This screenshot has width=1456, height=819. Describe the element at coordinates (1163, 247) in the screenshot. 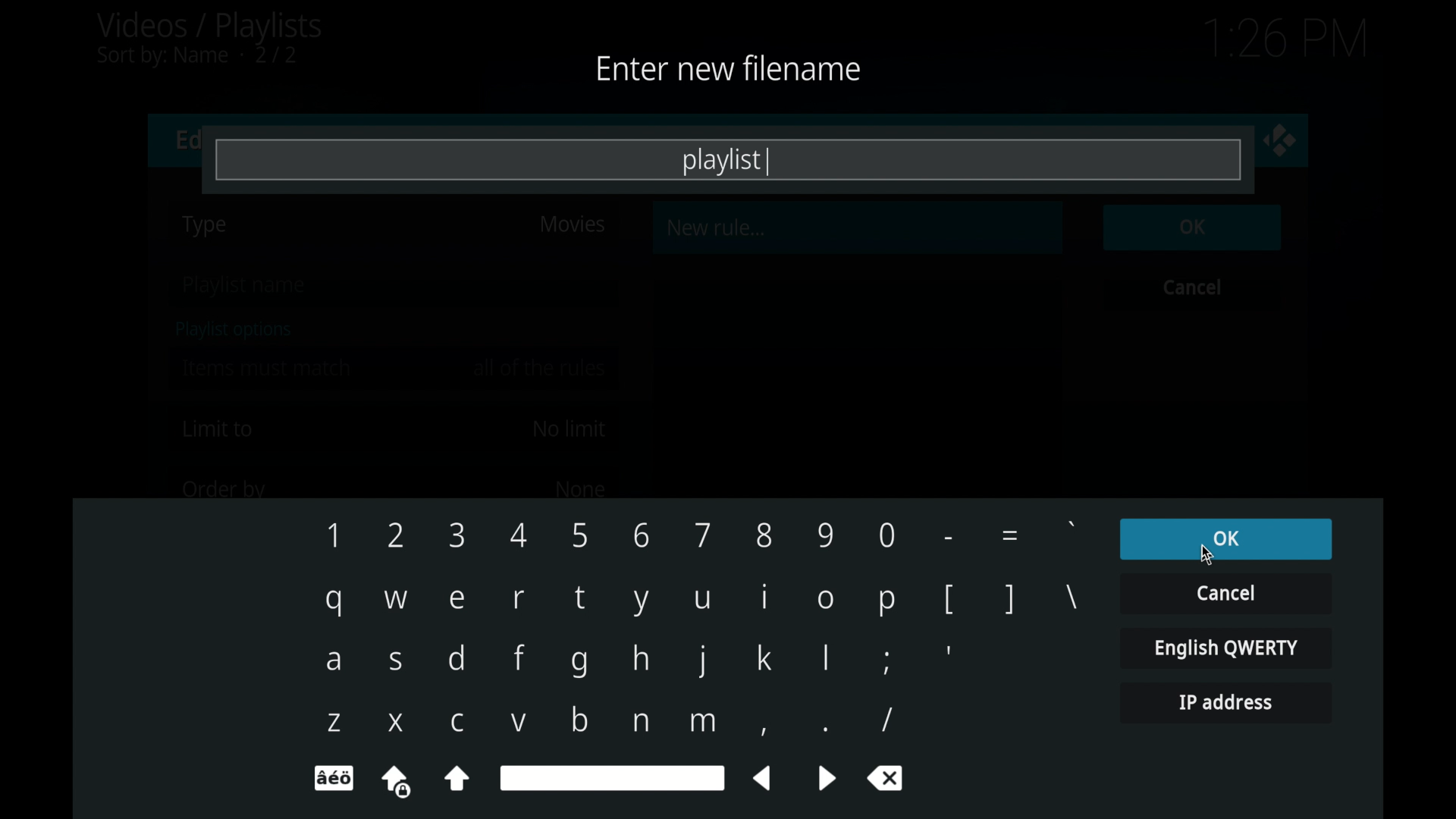

I see `cursor` at that location.